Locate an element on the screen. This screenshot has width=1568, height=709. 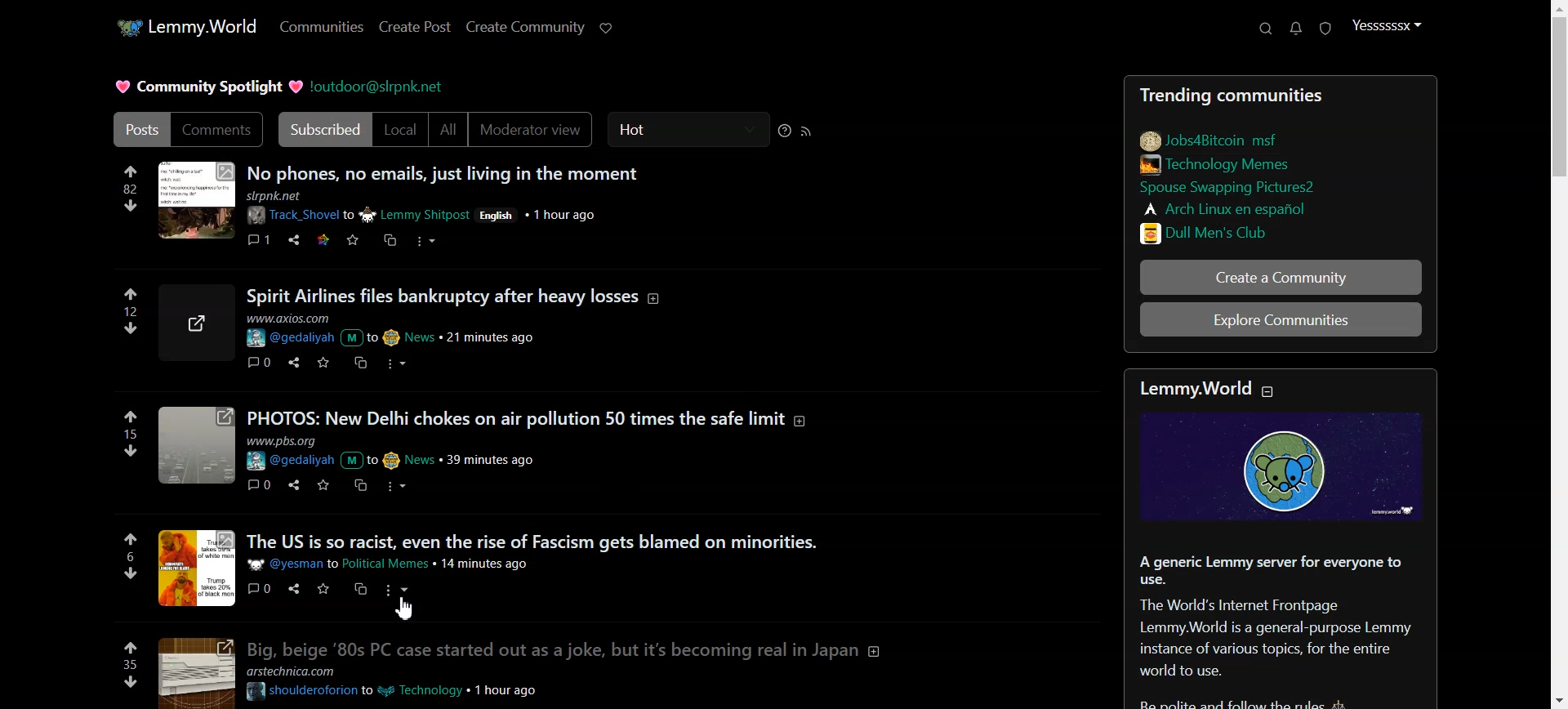
link is located at coordinates (1211, 138).